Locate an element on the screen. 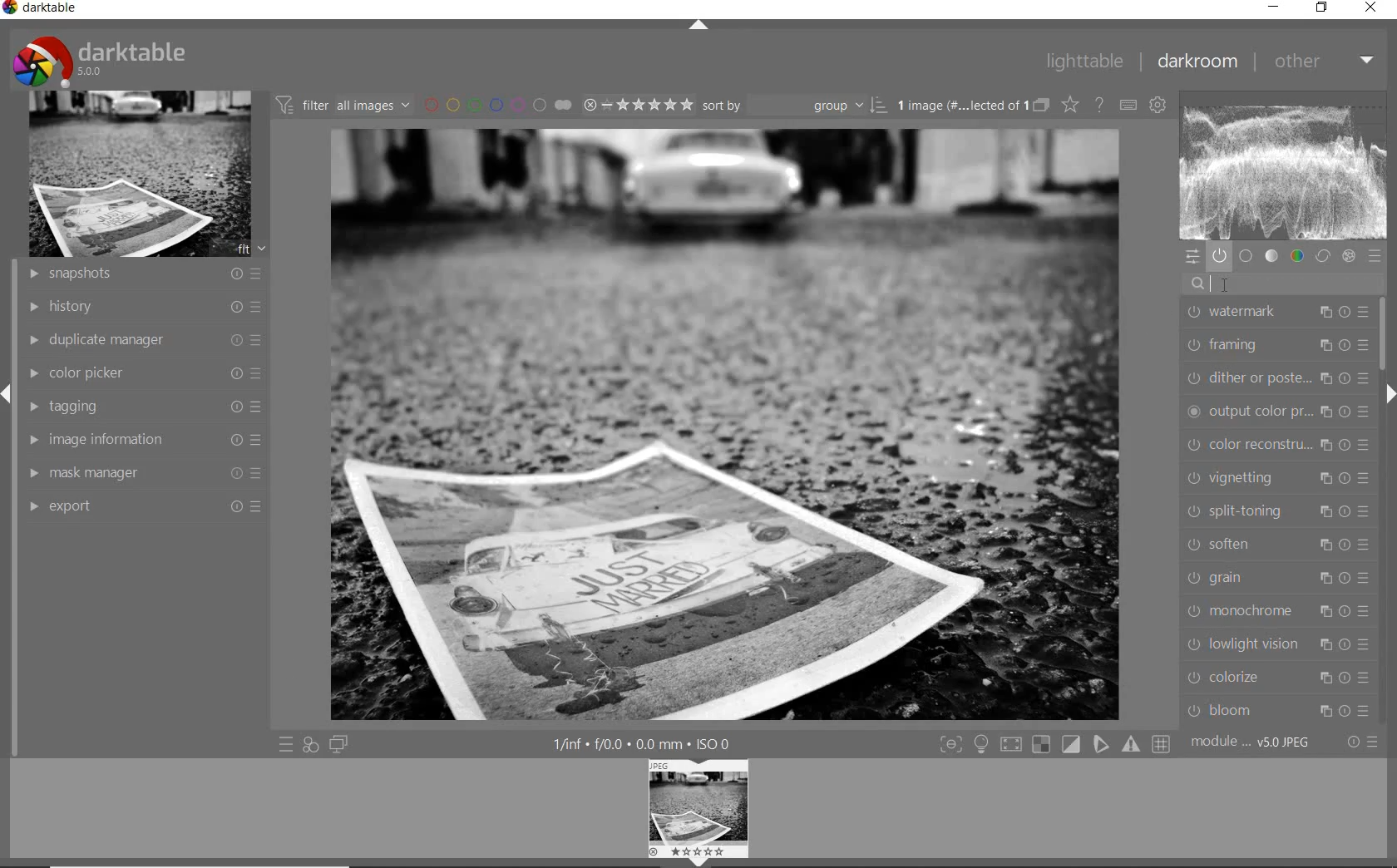 The image size is (1397, 868). other is located at coordinates (1326, 62).